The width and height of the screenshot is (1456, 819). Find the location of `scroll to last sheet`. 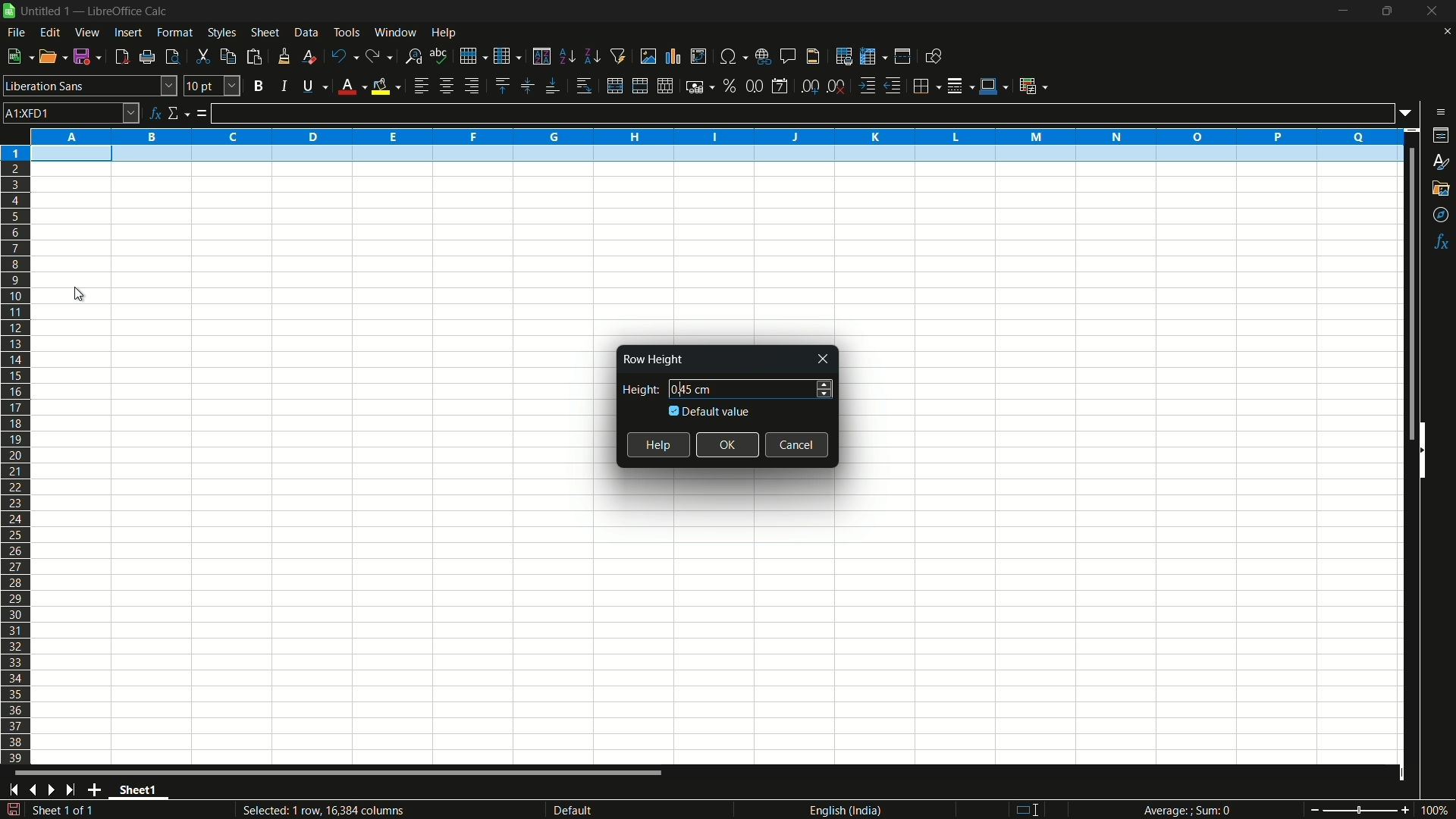

scroll to last sheet is located at coordinates (75, 790).